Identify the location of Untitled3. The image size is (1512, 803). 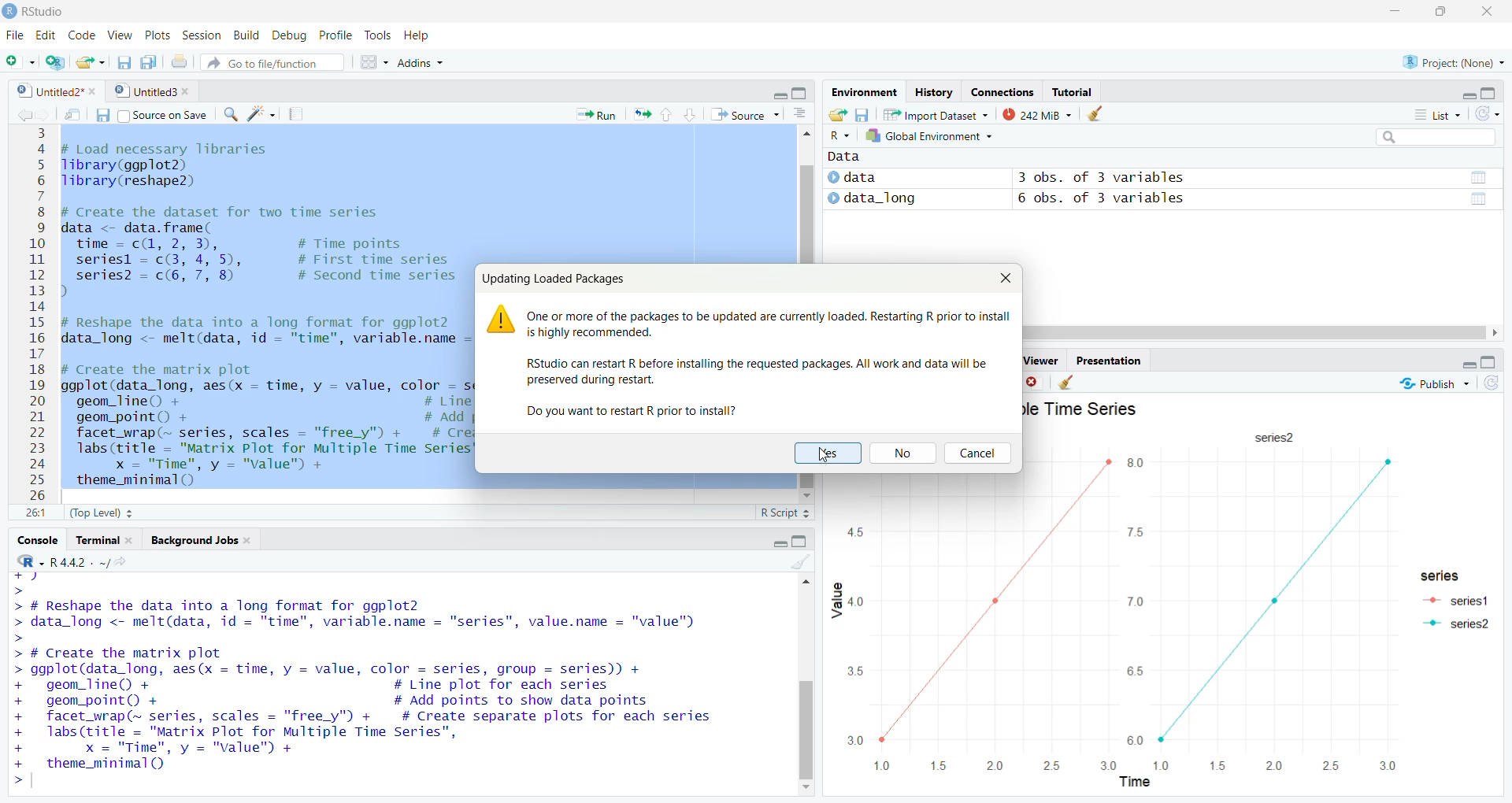
(144, 92).